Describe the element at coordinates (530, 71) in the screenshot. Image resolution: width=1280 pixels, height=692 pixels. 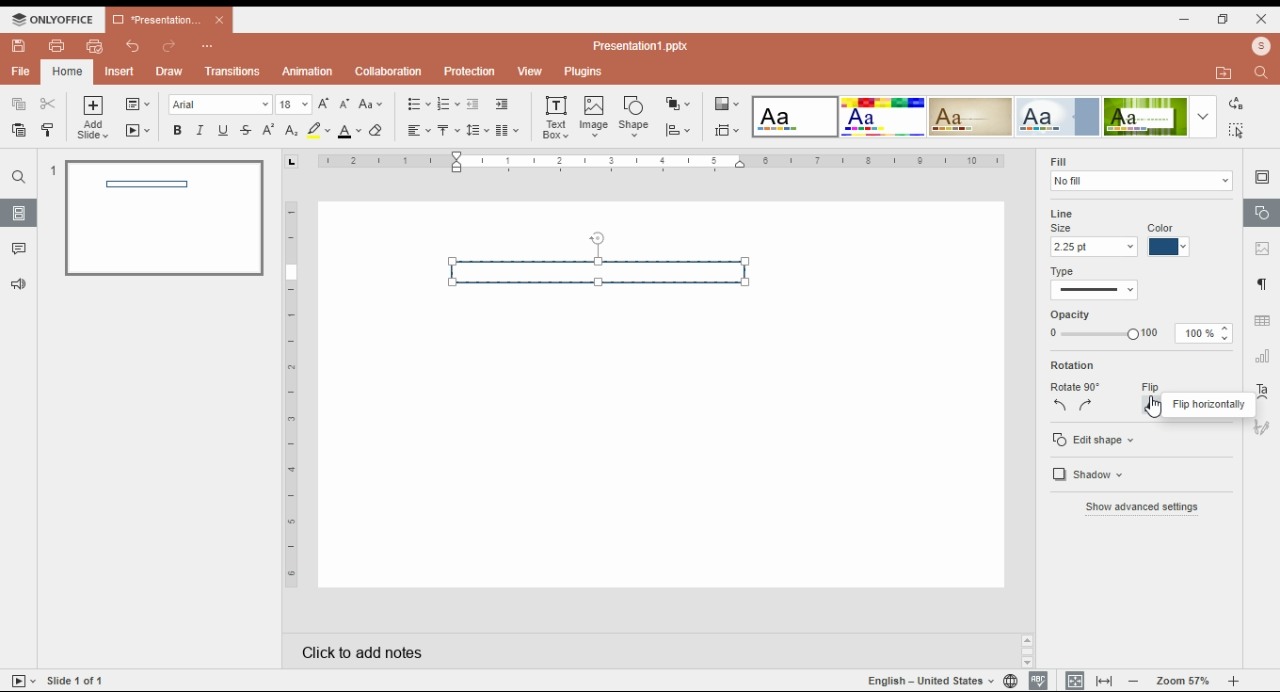
I see `view` at that location.